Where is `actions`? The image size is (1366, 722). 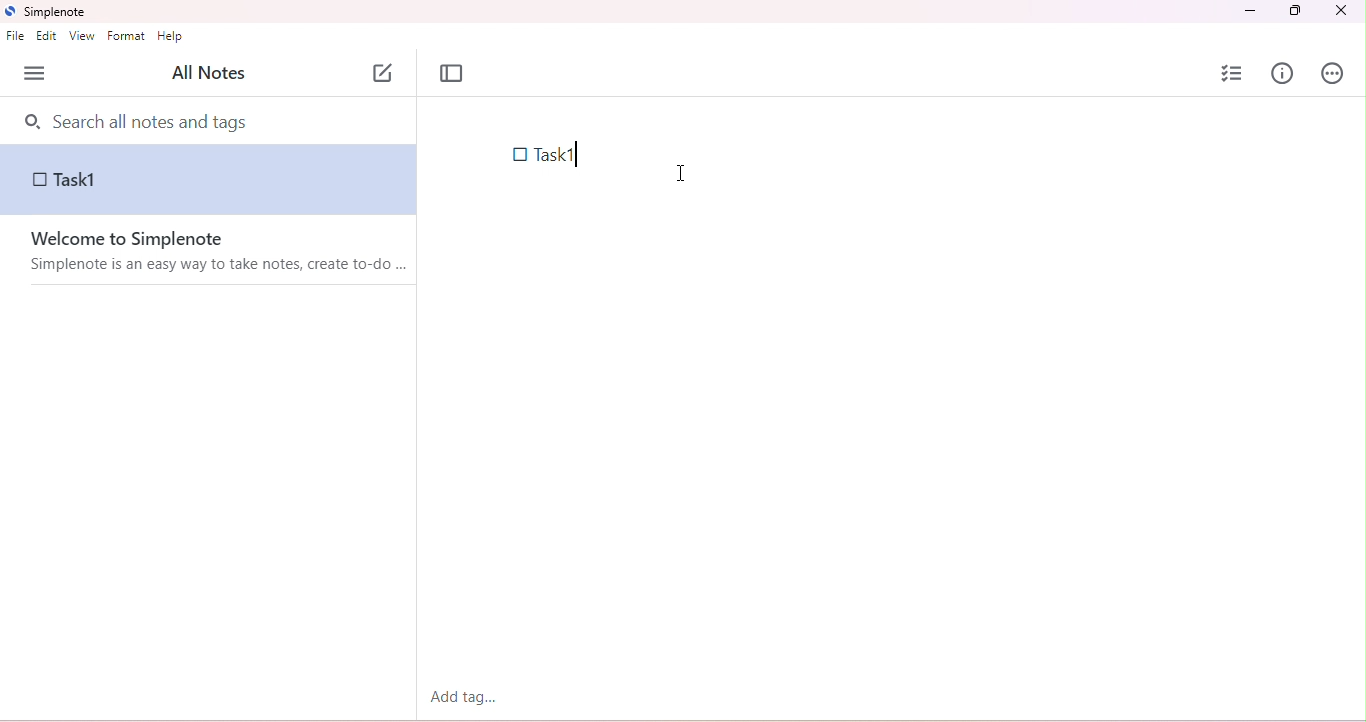 actions is located at coordinates (1333, 75).